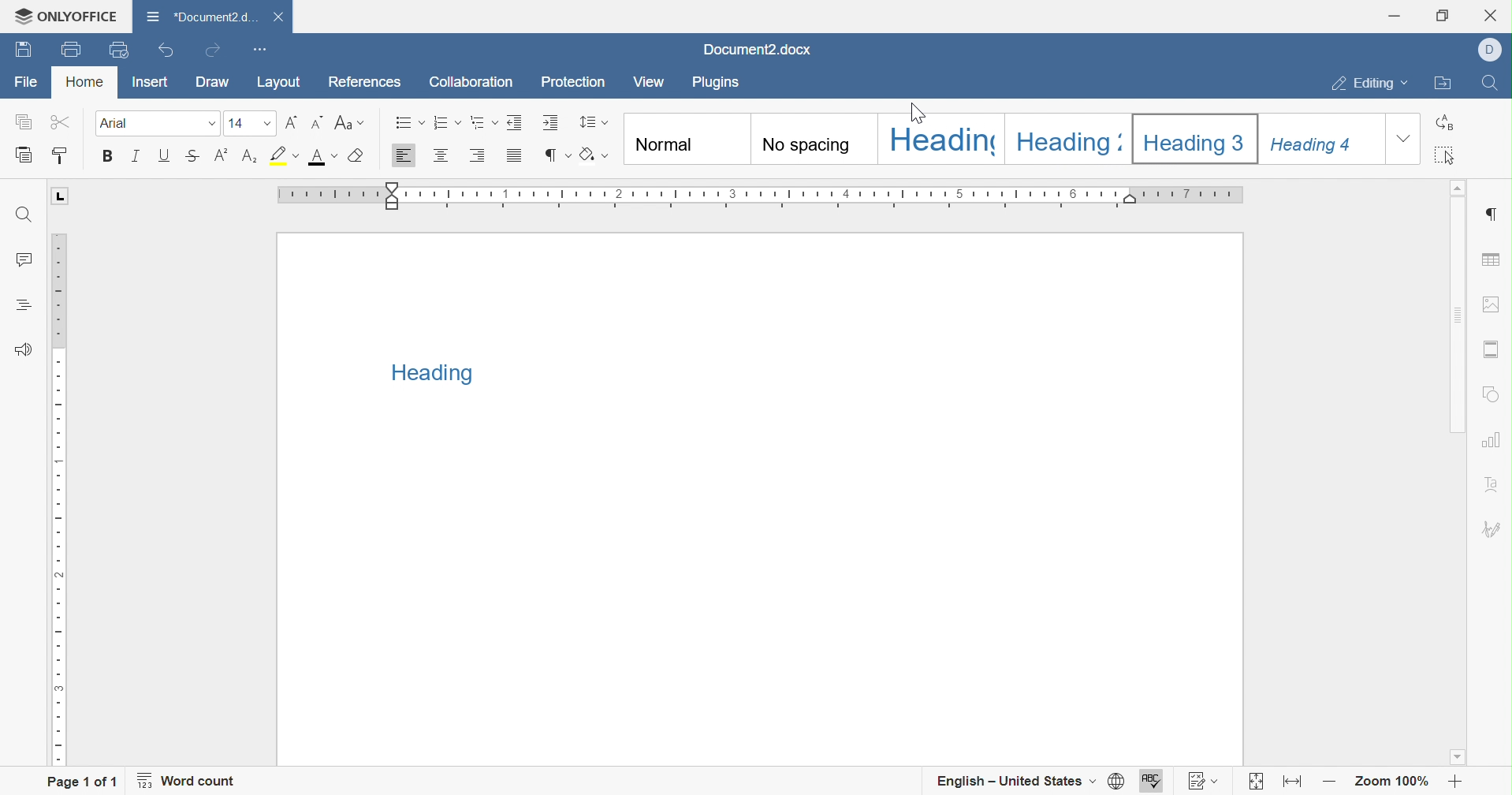  Describe the element at coordinates (1016, 780) in the screenshot. I see `English - United States` at that location.